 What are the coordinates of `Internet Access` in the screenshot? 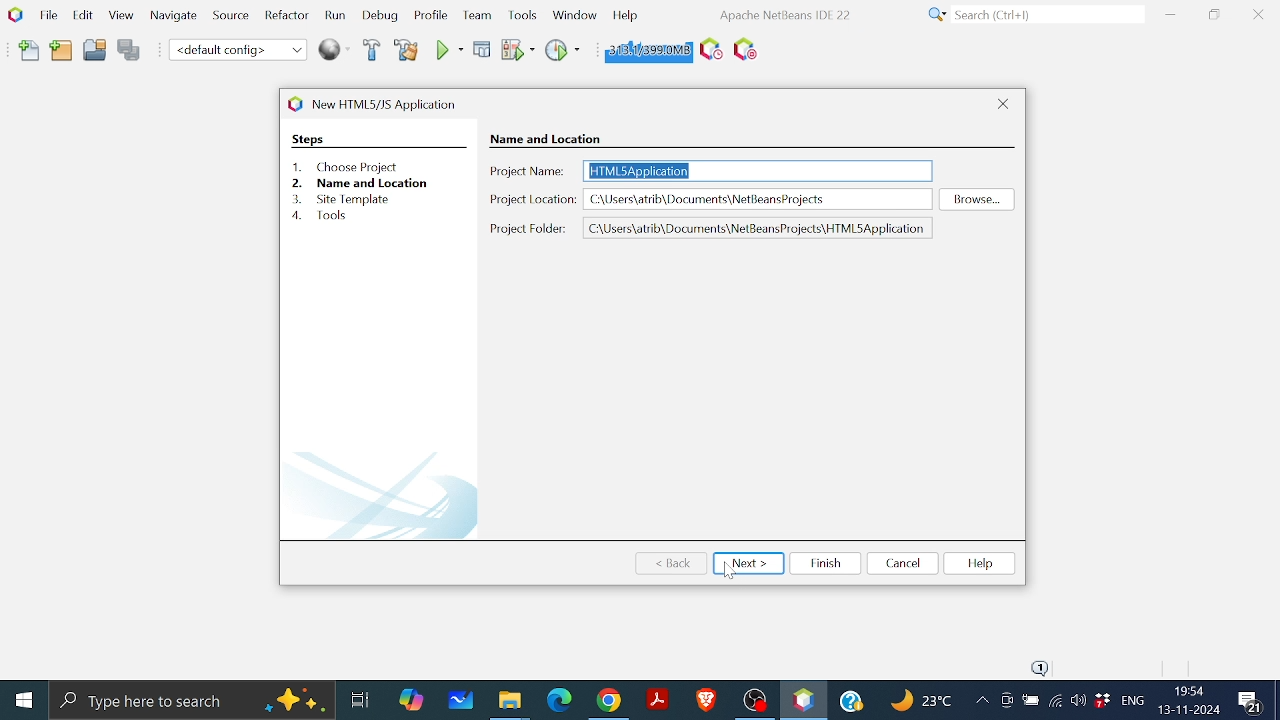 It's located at (1054, 703).